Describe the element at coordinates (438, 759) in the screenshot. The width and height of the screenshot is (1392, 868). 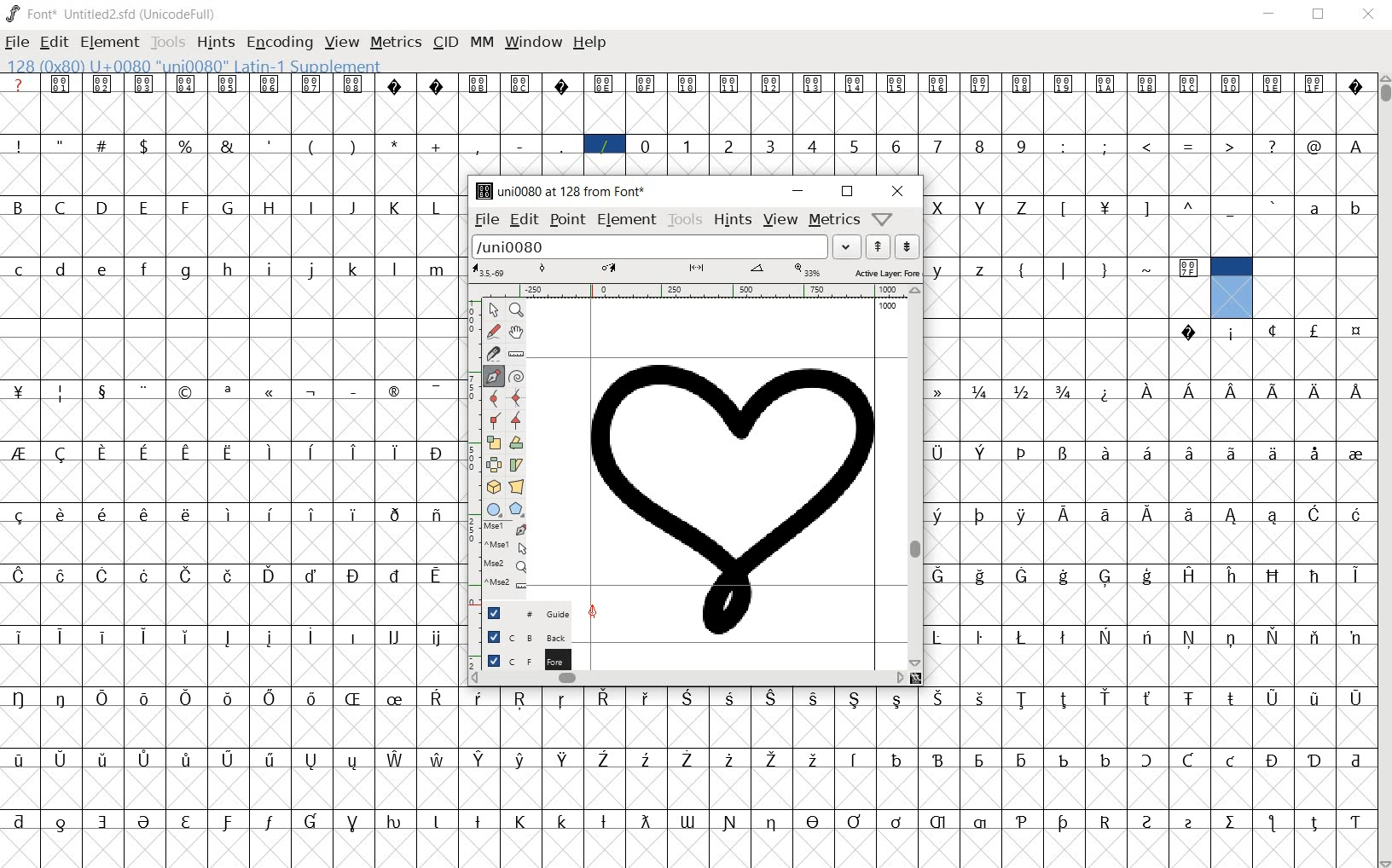
I see `glyph` at that location.